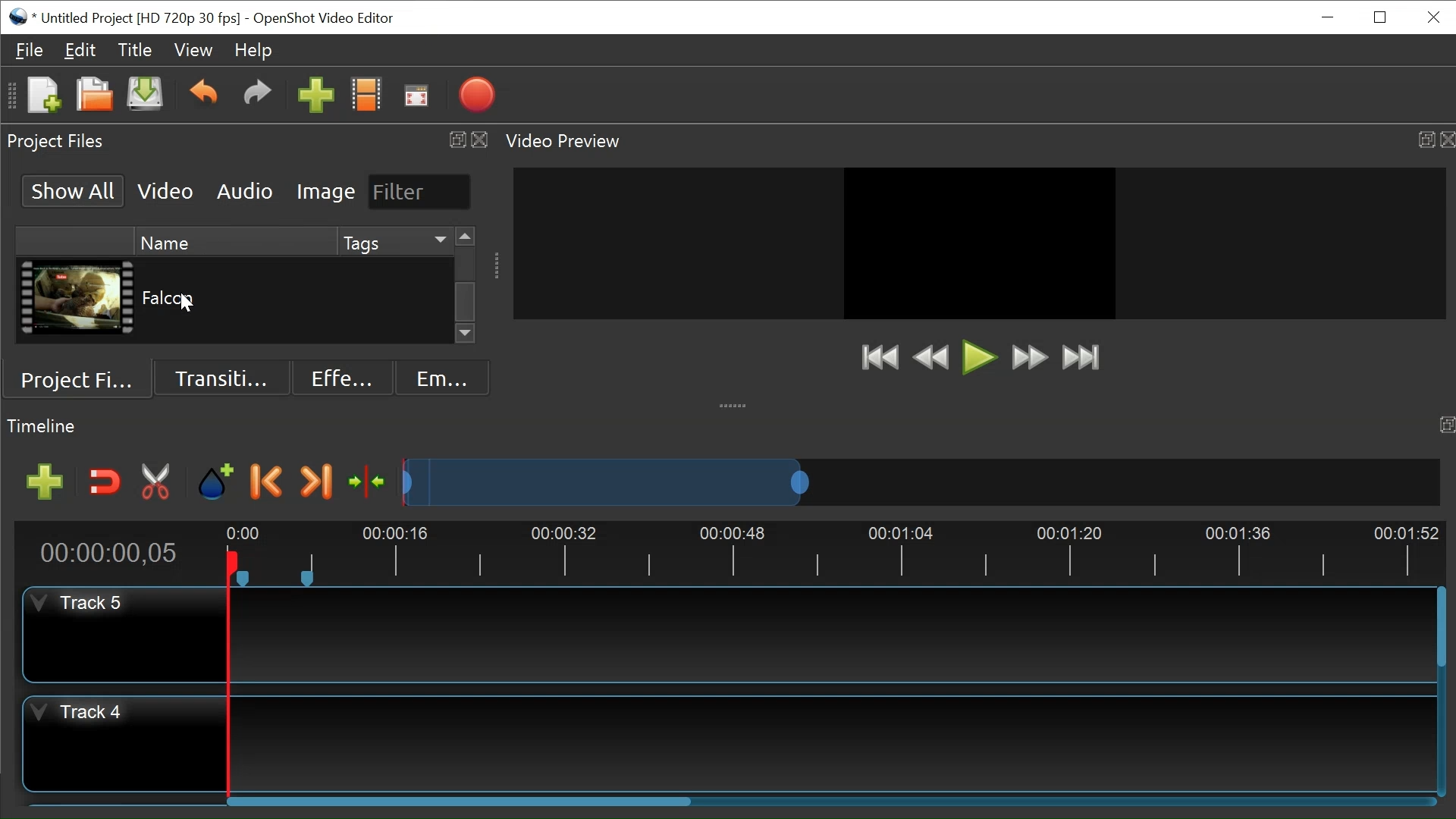  I want to click on Fullscreen, so click(416, 96).